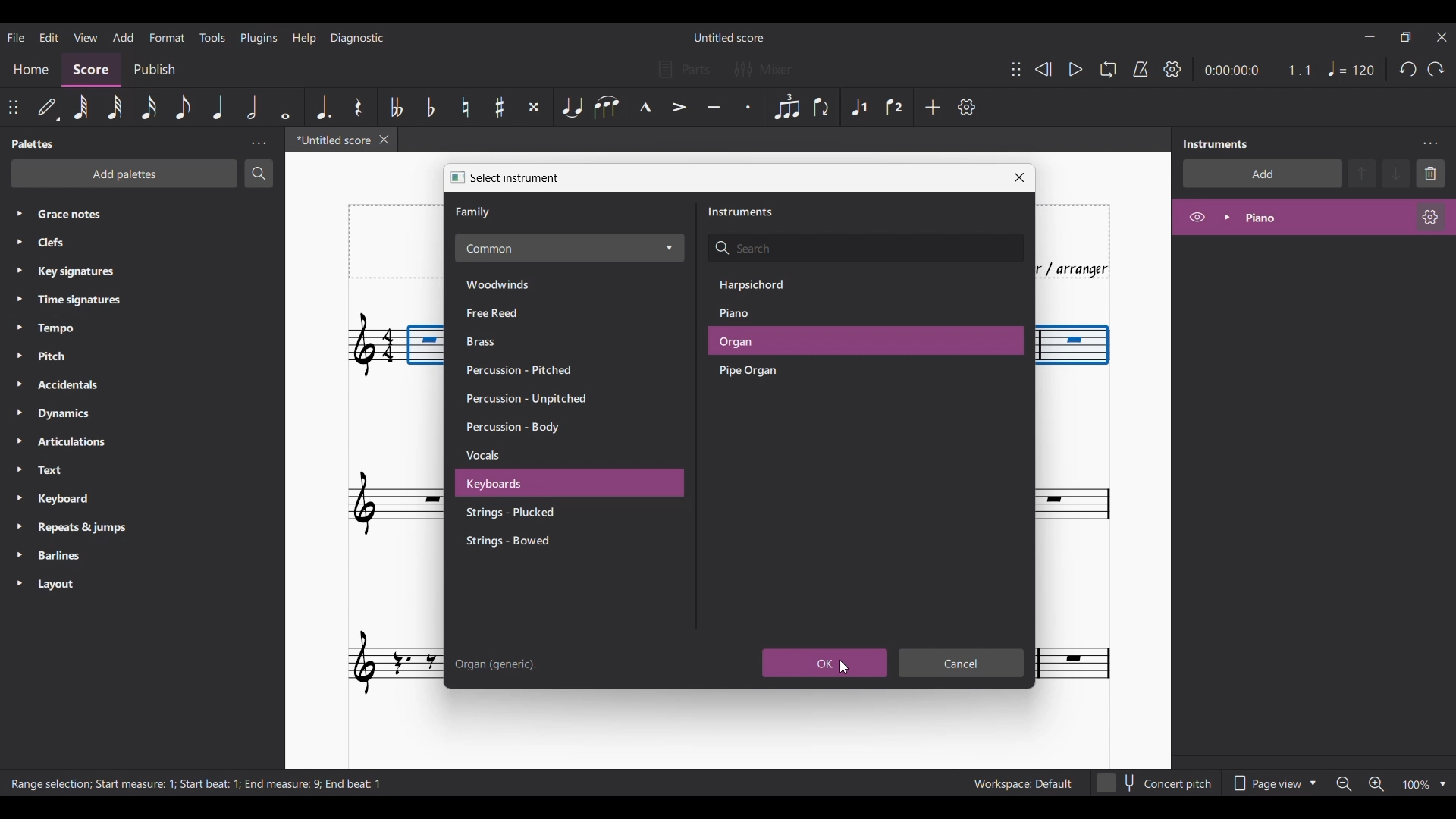 This screenshot has width=1456, height=819. I want to click on Add instrument, so click(1263, 174).